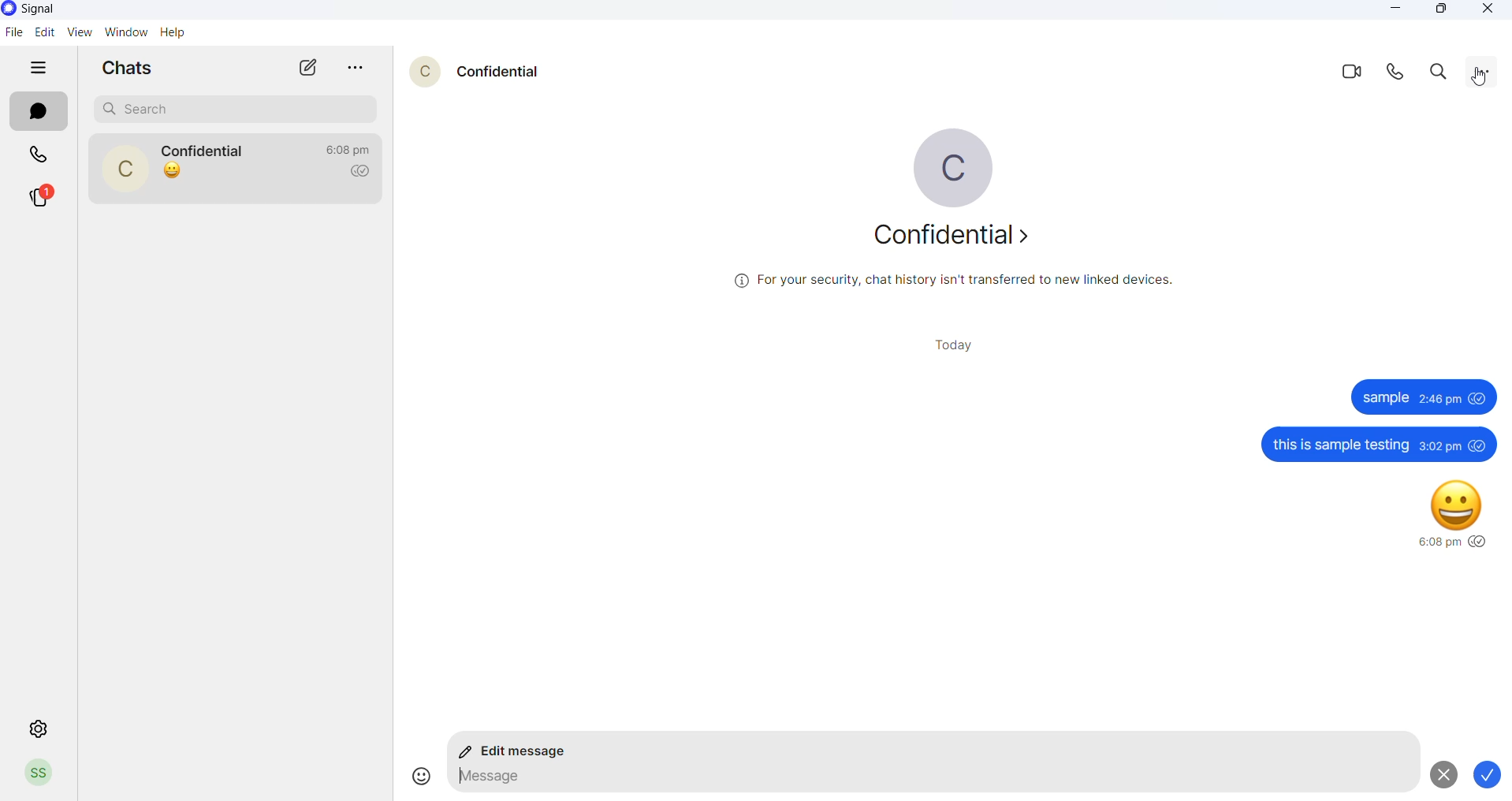  I want to click on application name and logo, so click(50, 9).